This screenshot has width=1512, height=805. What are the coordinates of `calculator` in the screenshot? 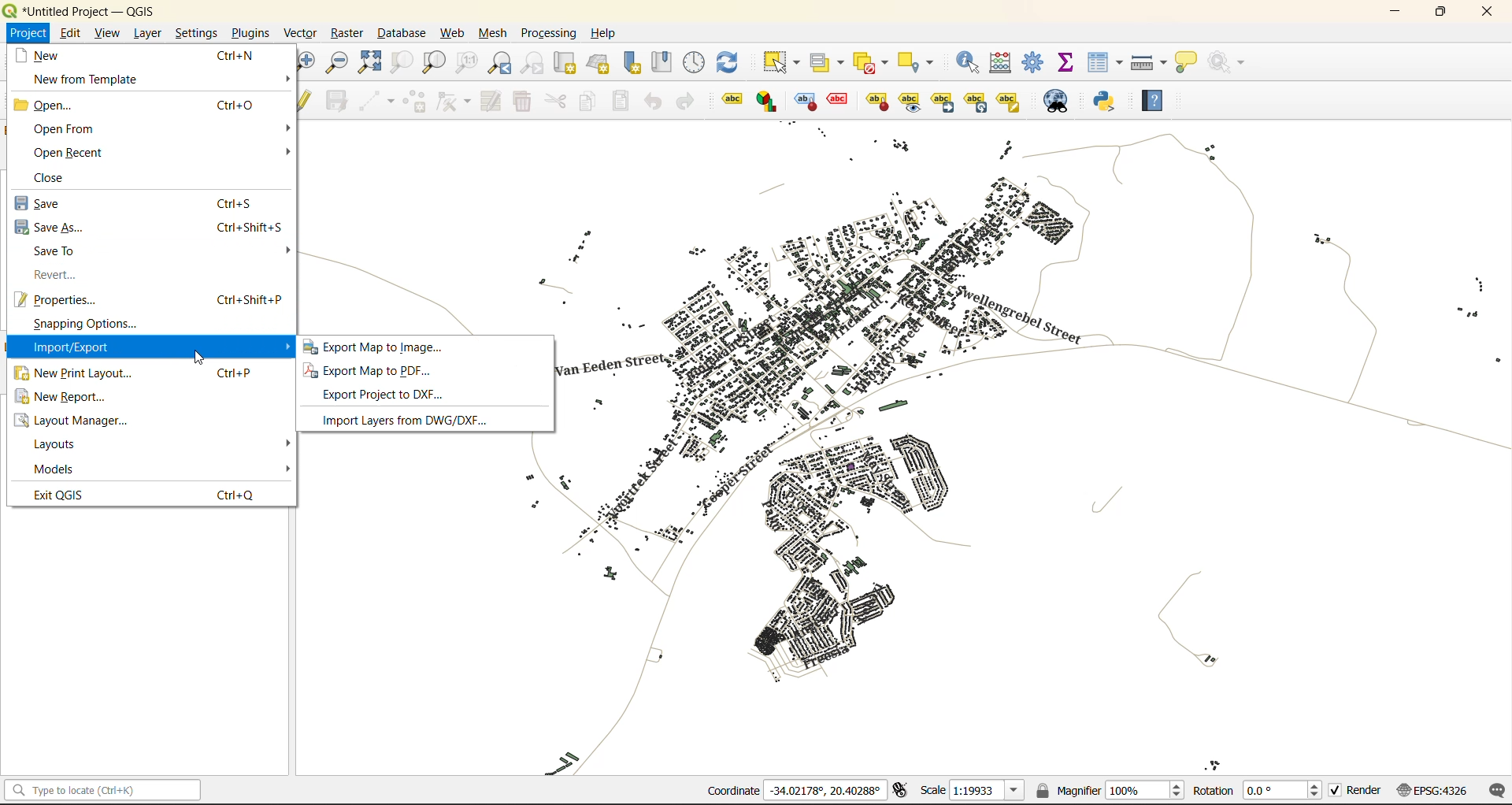 It's located at (1003, 63).